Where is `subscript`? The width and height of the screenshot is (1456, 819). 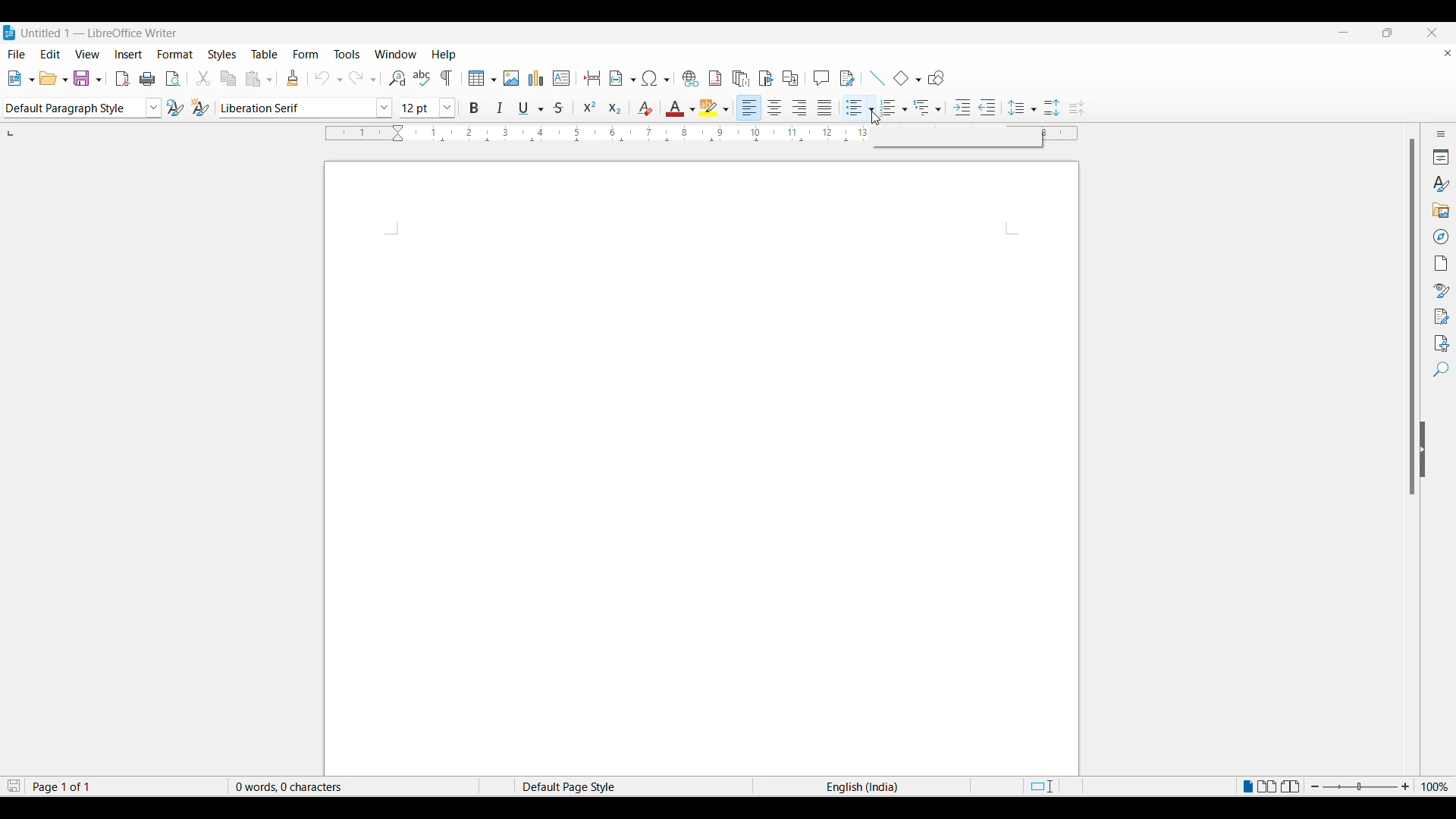 subscript is located at coordinates (614, 106).